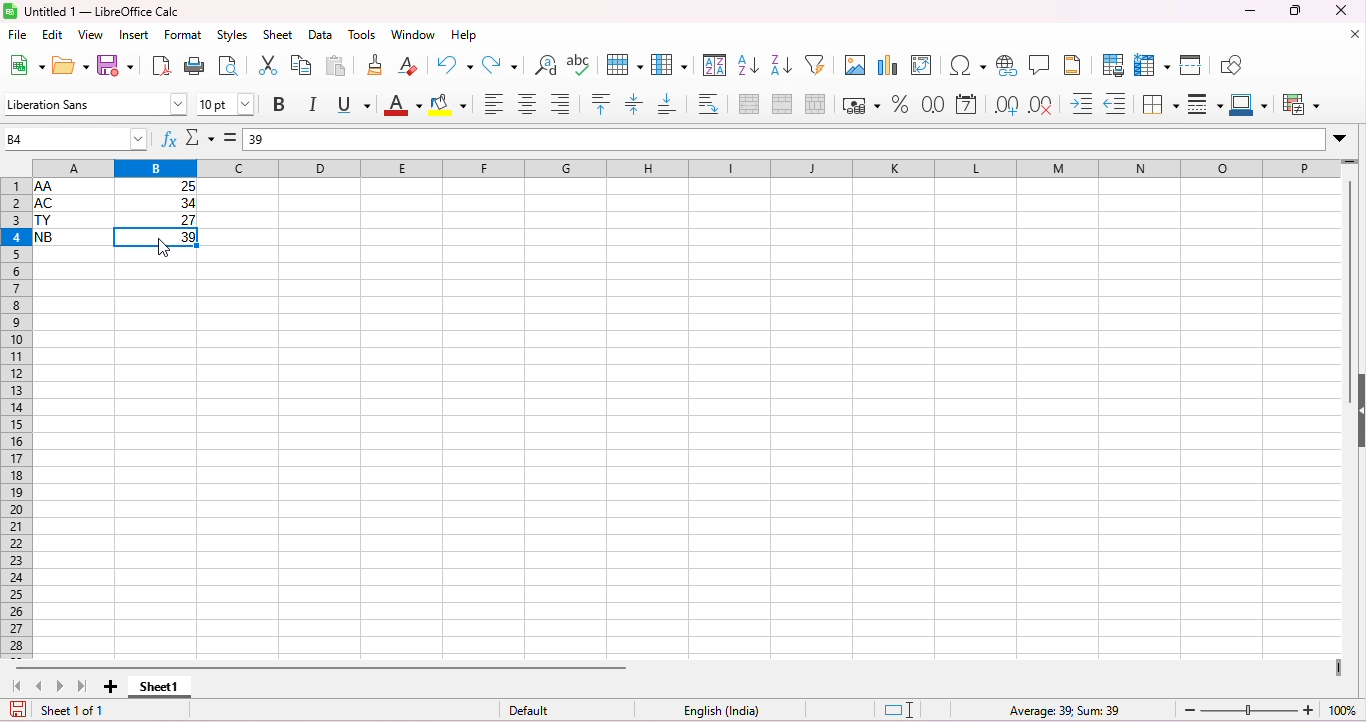  What do you see at coordinates (361, 35) in the screenshot?
I see `tools` at bounding box center [361, 35].